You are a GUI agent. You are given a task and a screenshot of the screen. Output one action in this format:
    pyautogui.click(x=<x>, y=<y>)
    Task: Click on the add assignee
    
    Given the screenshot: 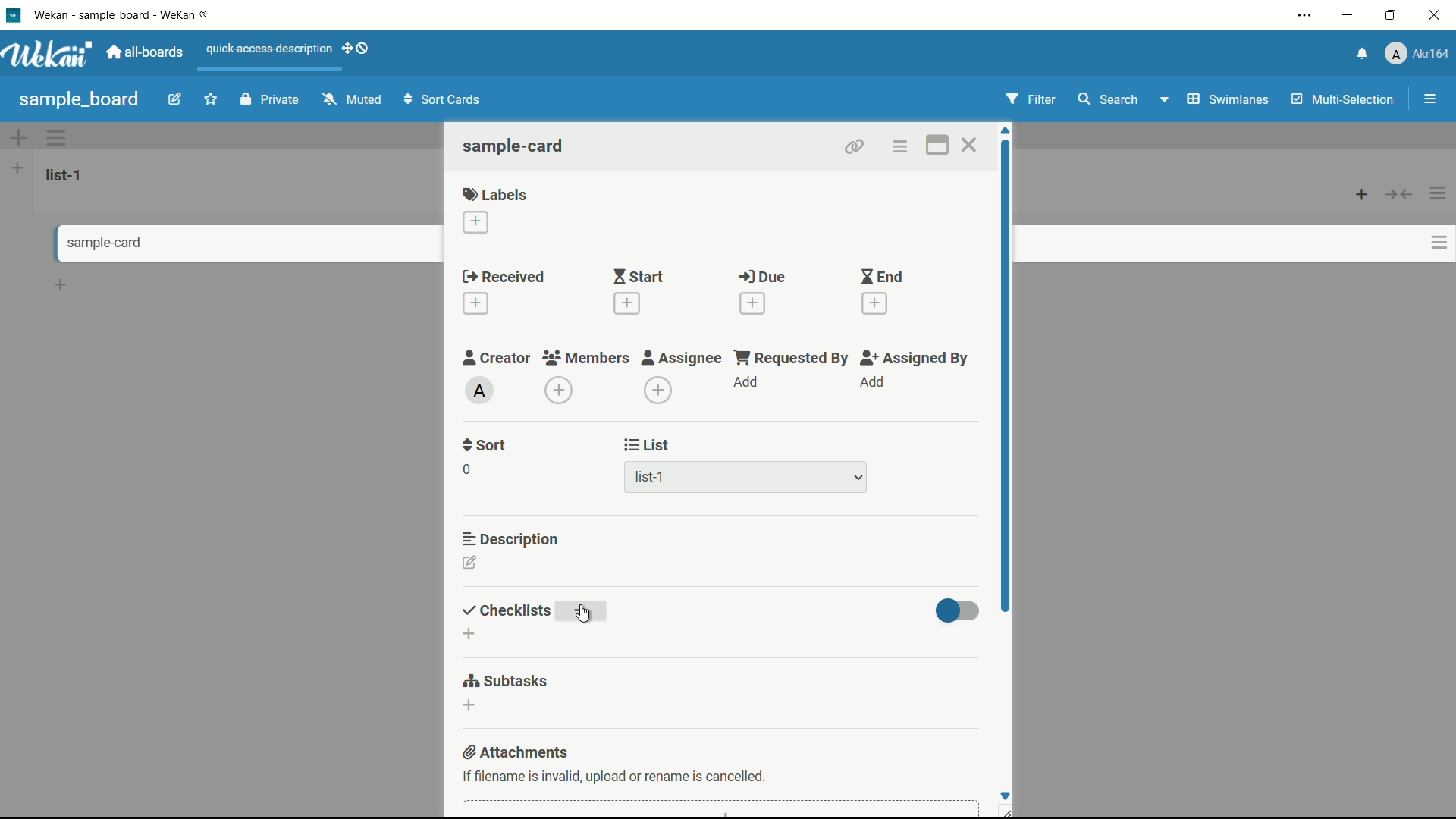 What is the action you would take?
    pyautogui.click(x=659, y=391)
    